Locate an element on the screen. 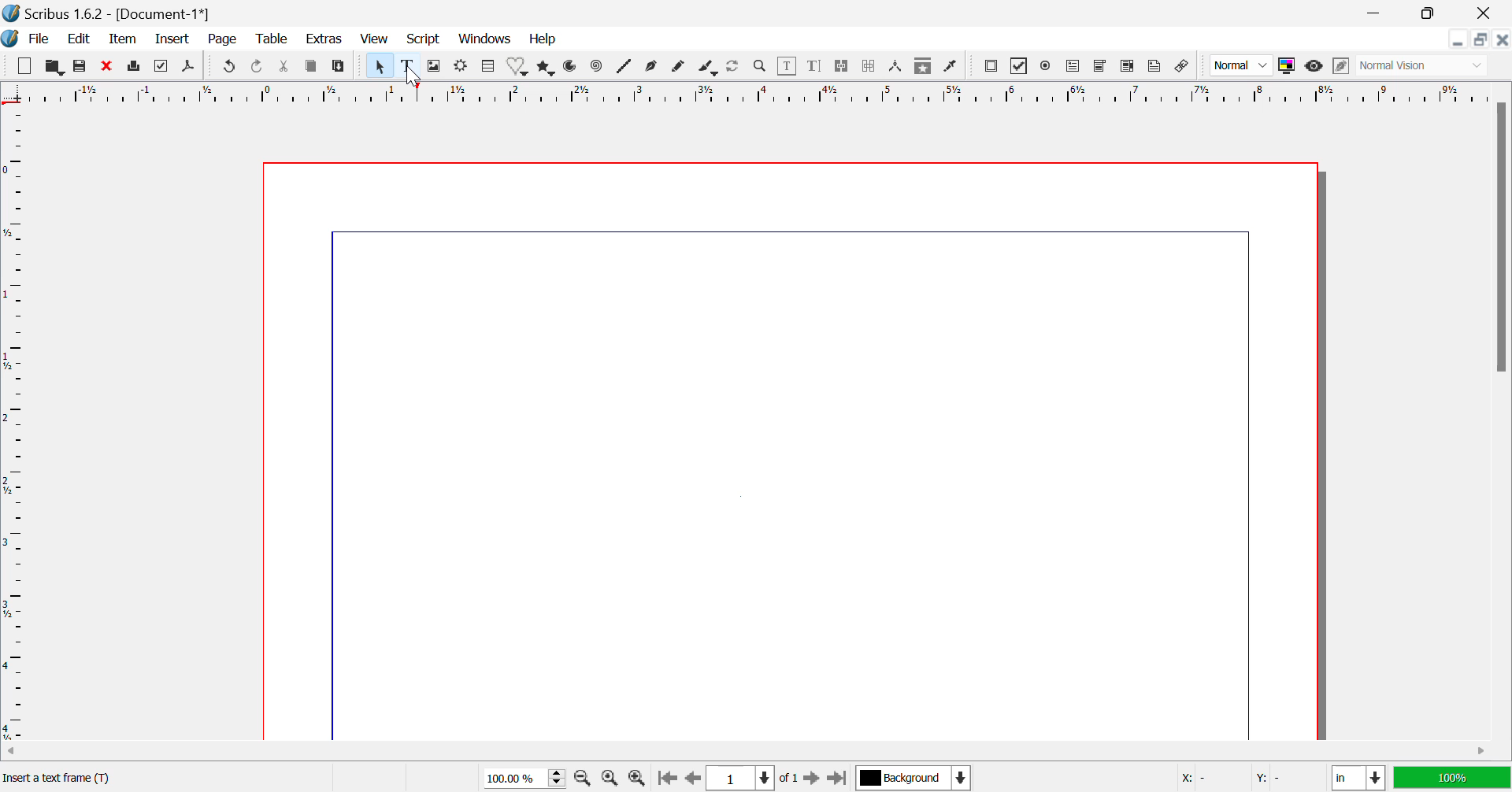  X: - is located at coordinates (1204, 777).